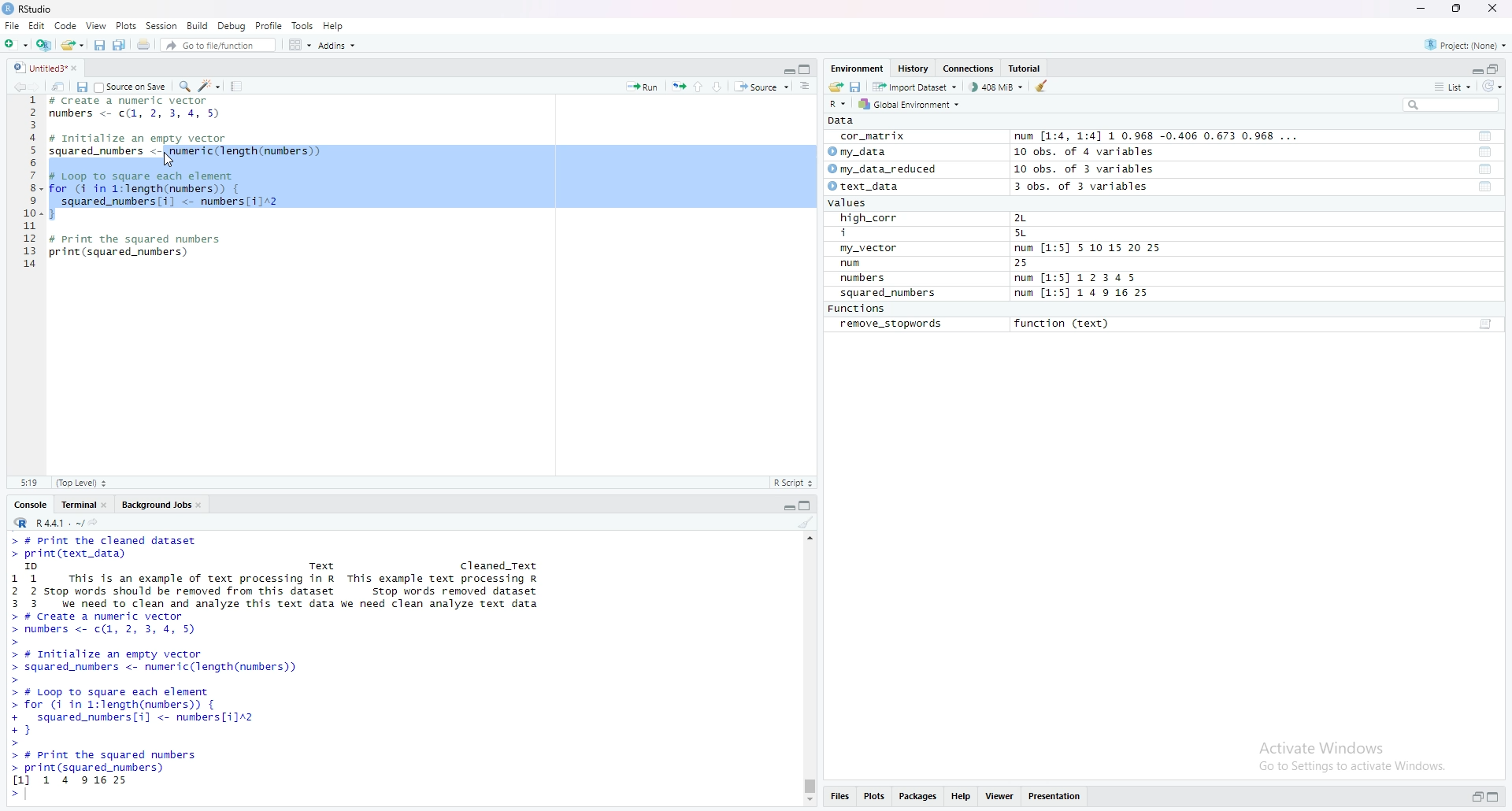 Image resolution: width=1512 pixels, height=811 pixels. Describe the element at coordinates (132, 86) in the screenshot. I see `Source on save` at that location.